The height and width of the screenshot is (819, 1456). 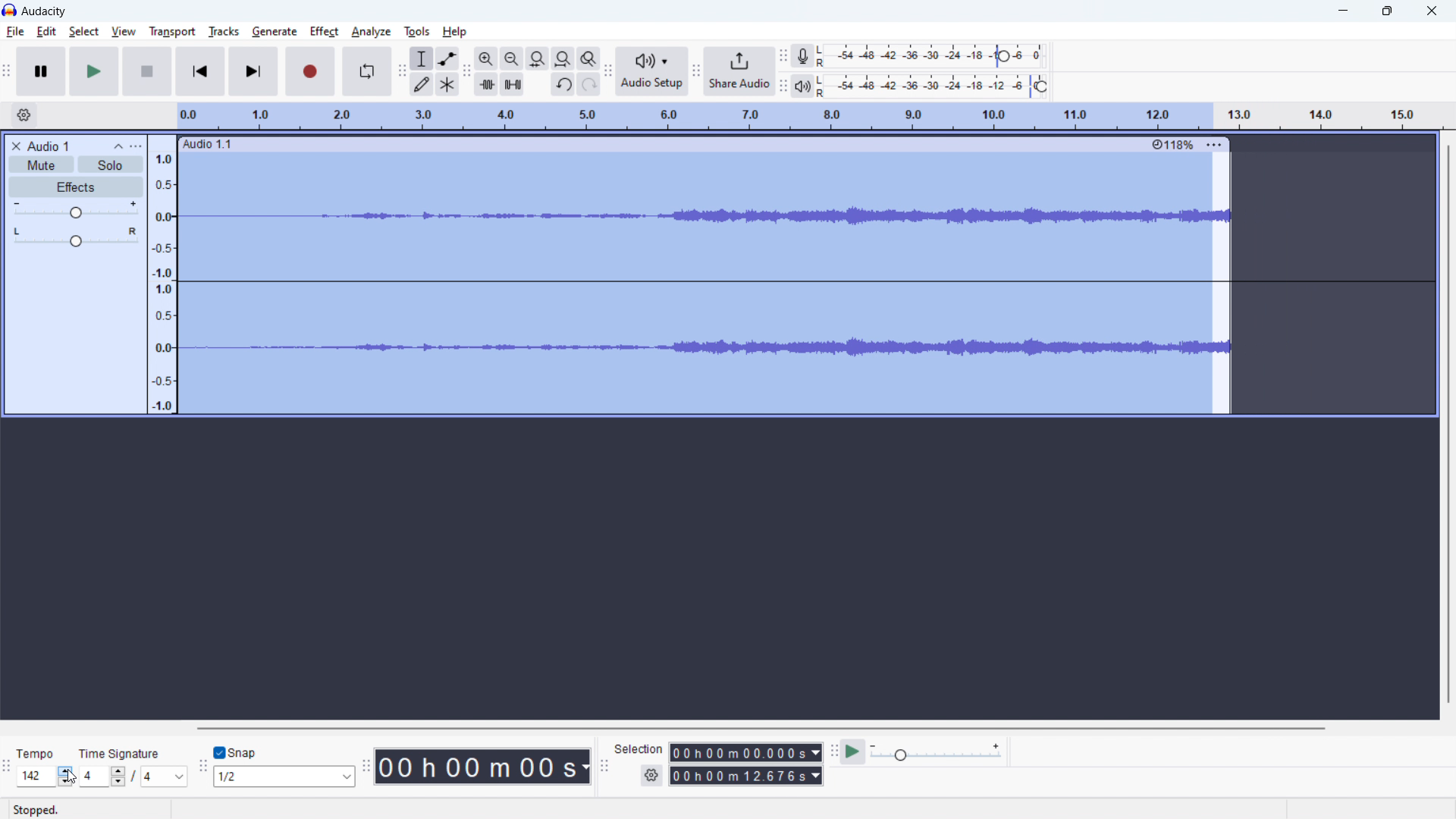 What do you see at coordinates (202, 765) in the screenshot?
I see `snapping toolbar` at bounding box center [202, 765].